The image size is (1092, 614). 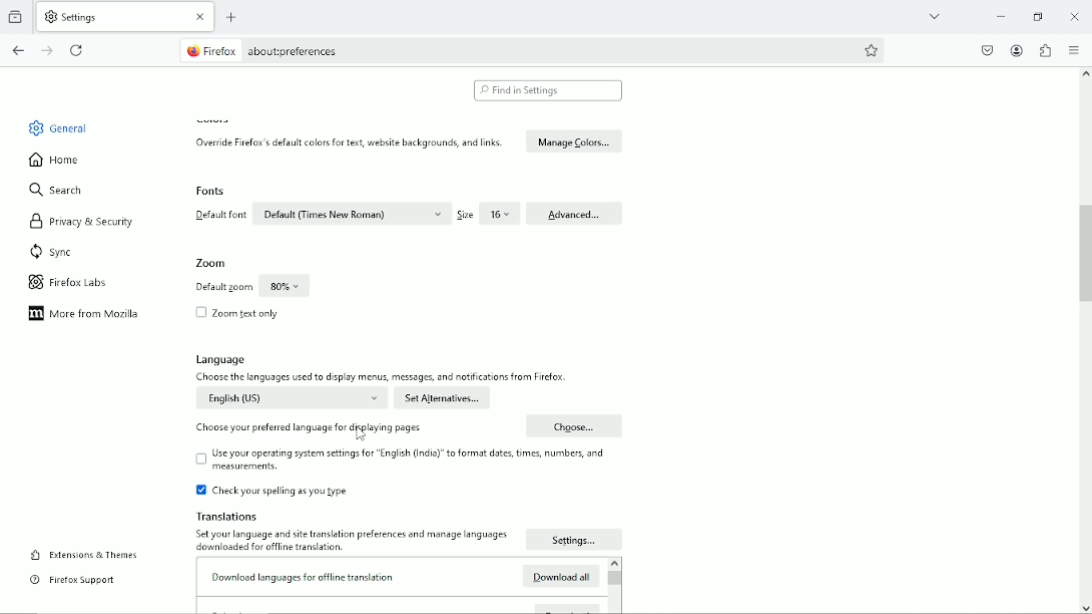 What do you see at coordinates (68, 163) in the screenshot?
I see `Home` at bounding box center [68, 163].